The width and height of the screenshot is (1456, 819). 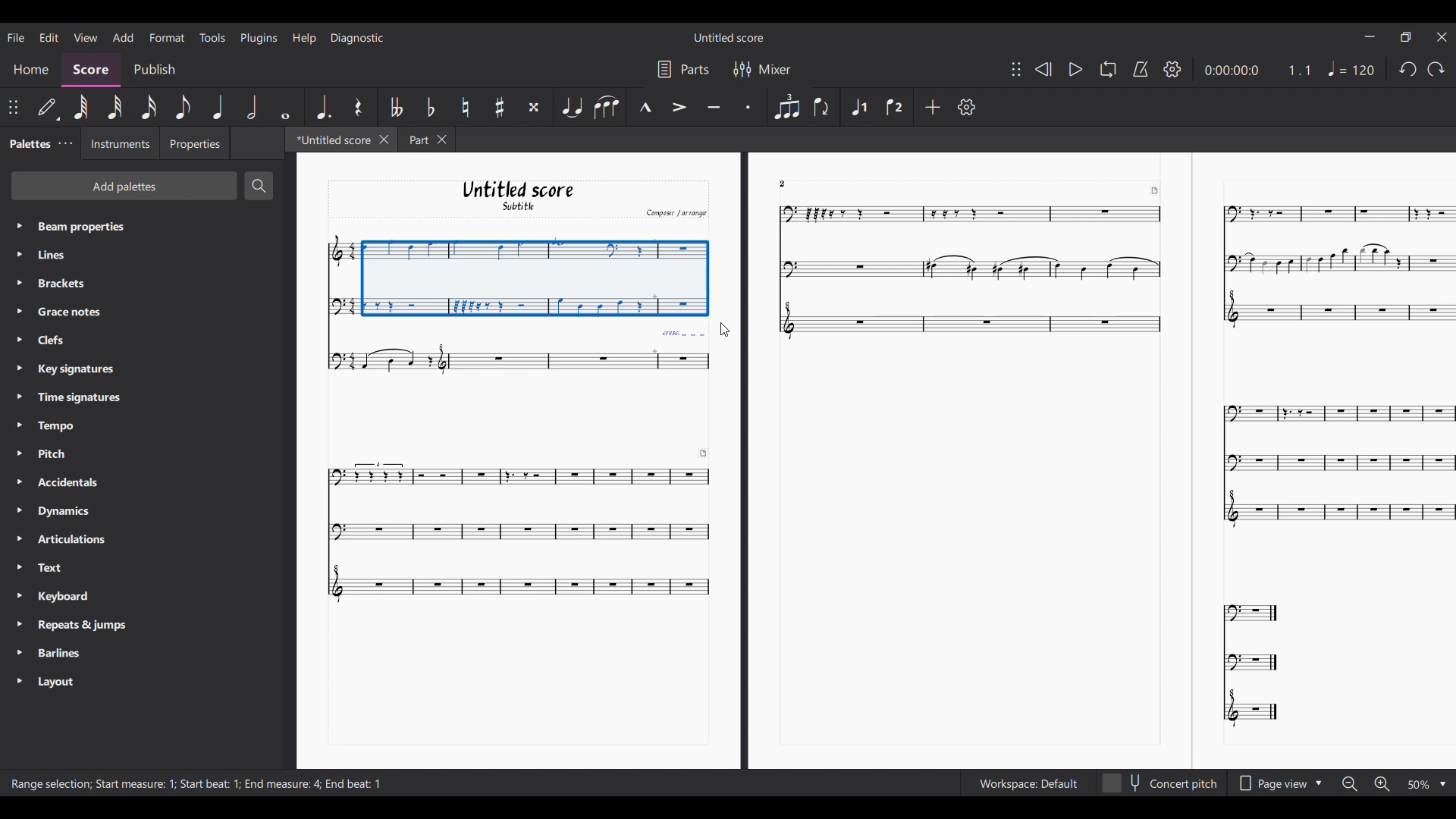 I want to click on 32nd note, so click(x=116, y=107).